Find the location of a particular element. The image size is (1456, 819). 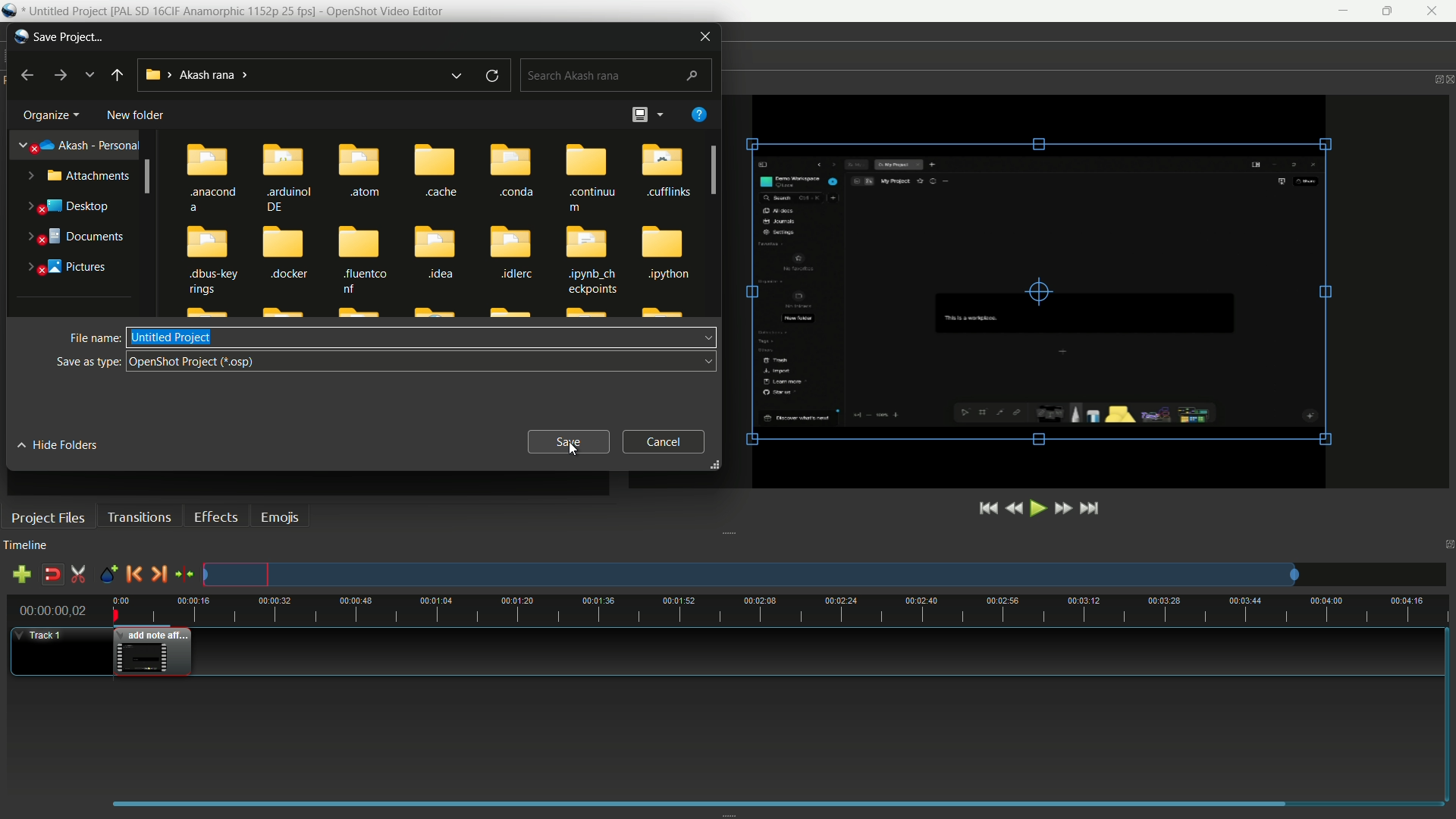

organize is located at coordinates (48, 115).